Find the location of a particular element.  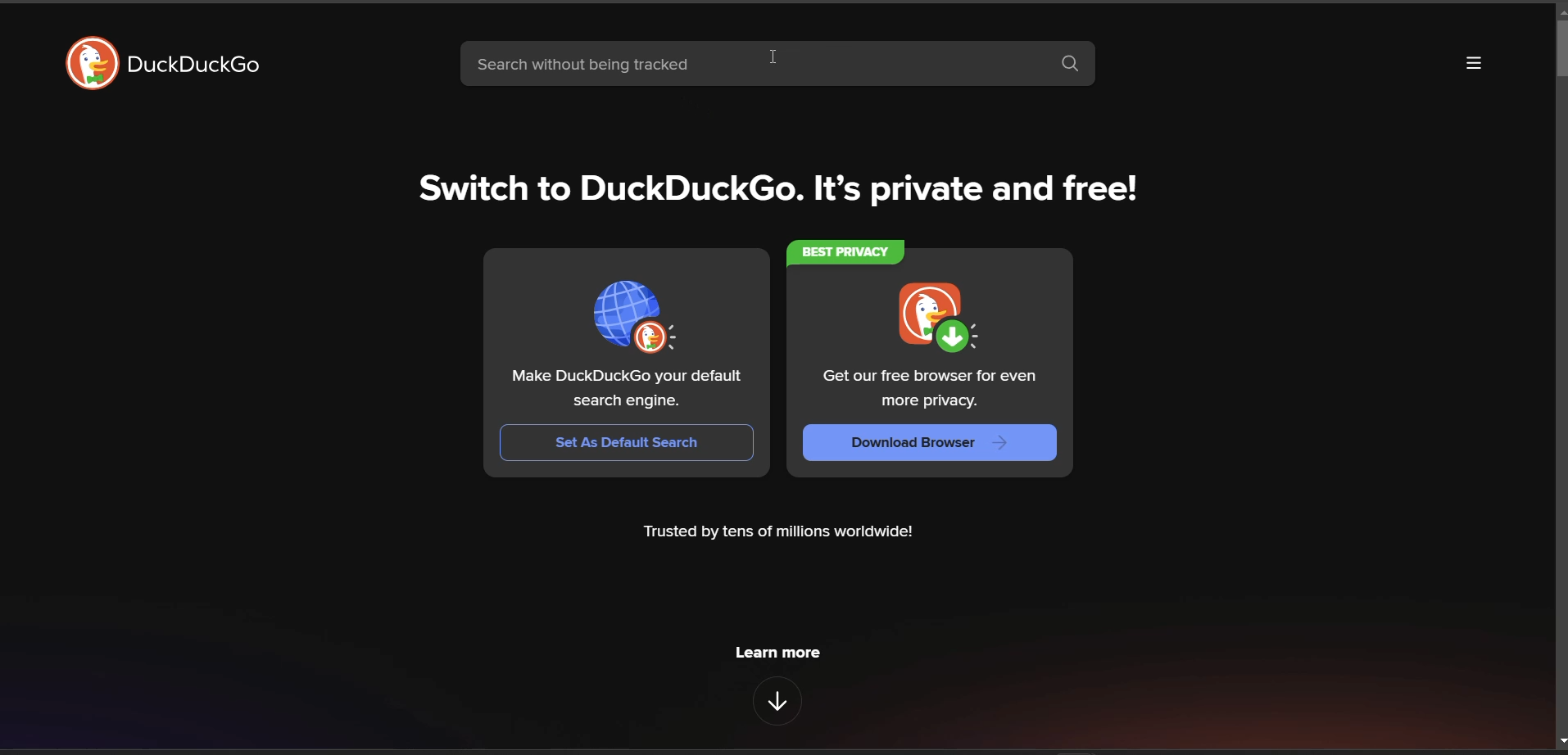

Make DuckDuckGo your default search engine. is located at coordinates (628, 391).